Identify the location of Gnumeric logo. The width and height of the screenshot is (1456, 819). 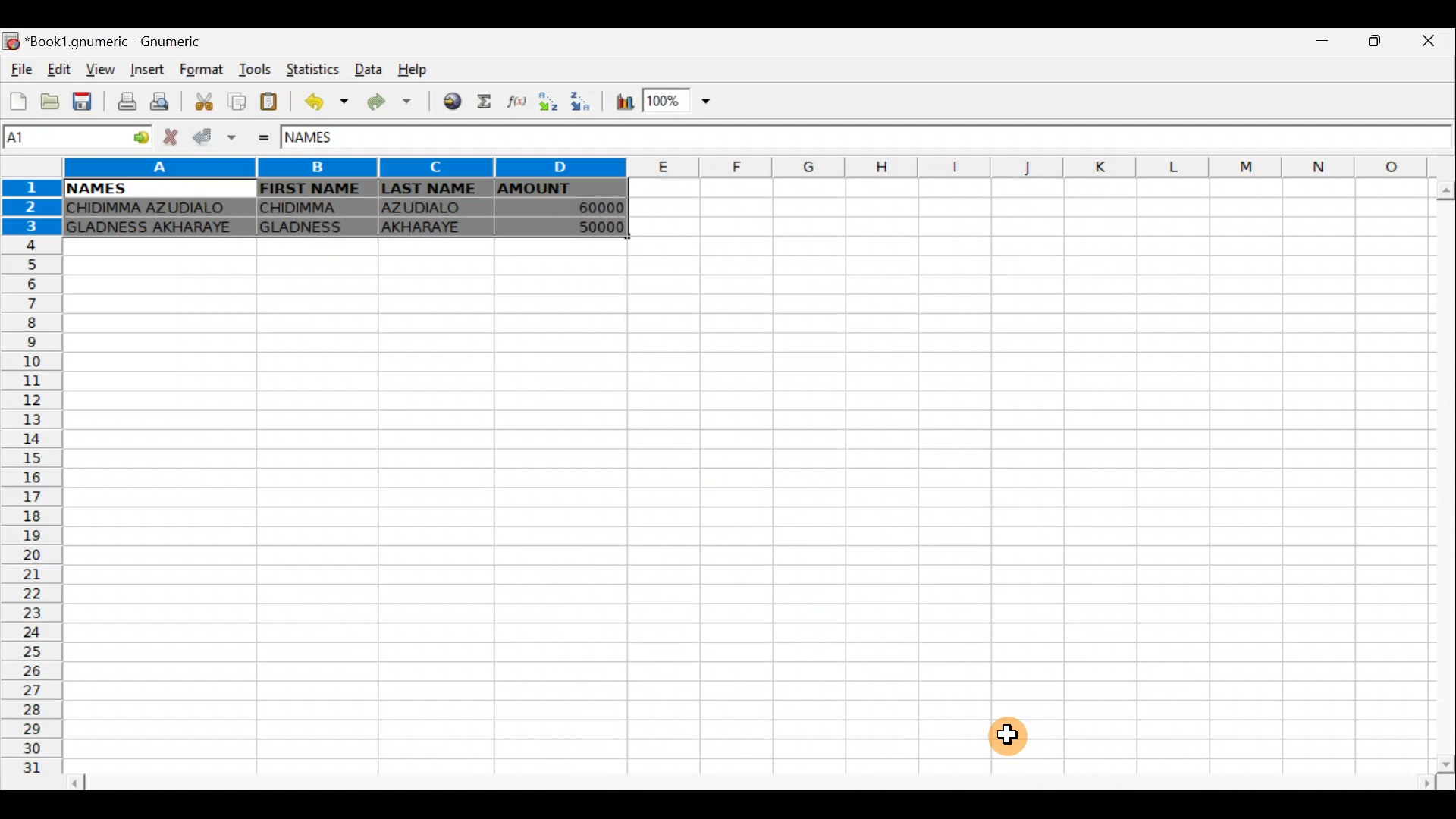
(12, 42).